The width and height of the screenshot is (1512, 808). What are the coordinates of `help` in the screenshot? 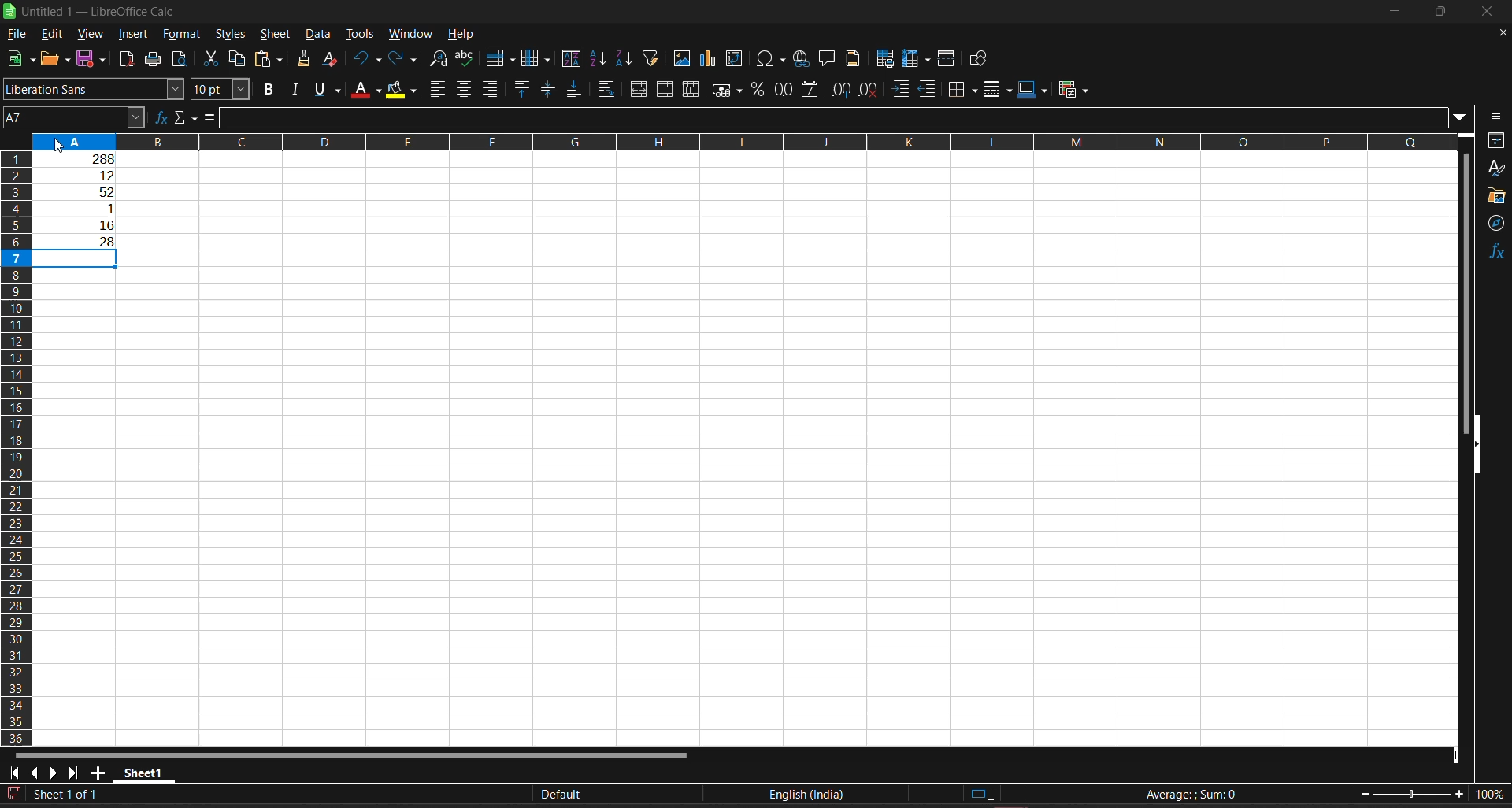 It's located at (461, 34).